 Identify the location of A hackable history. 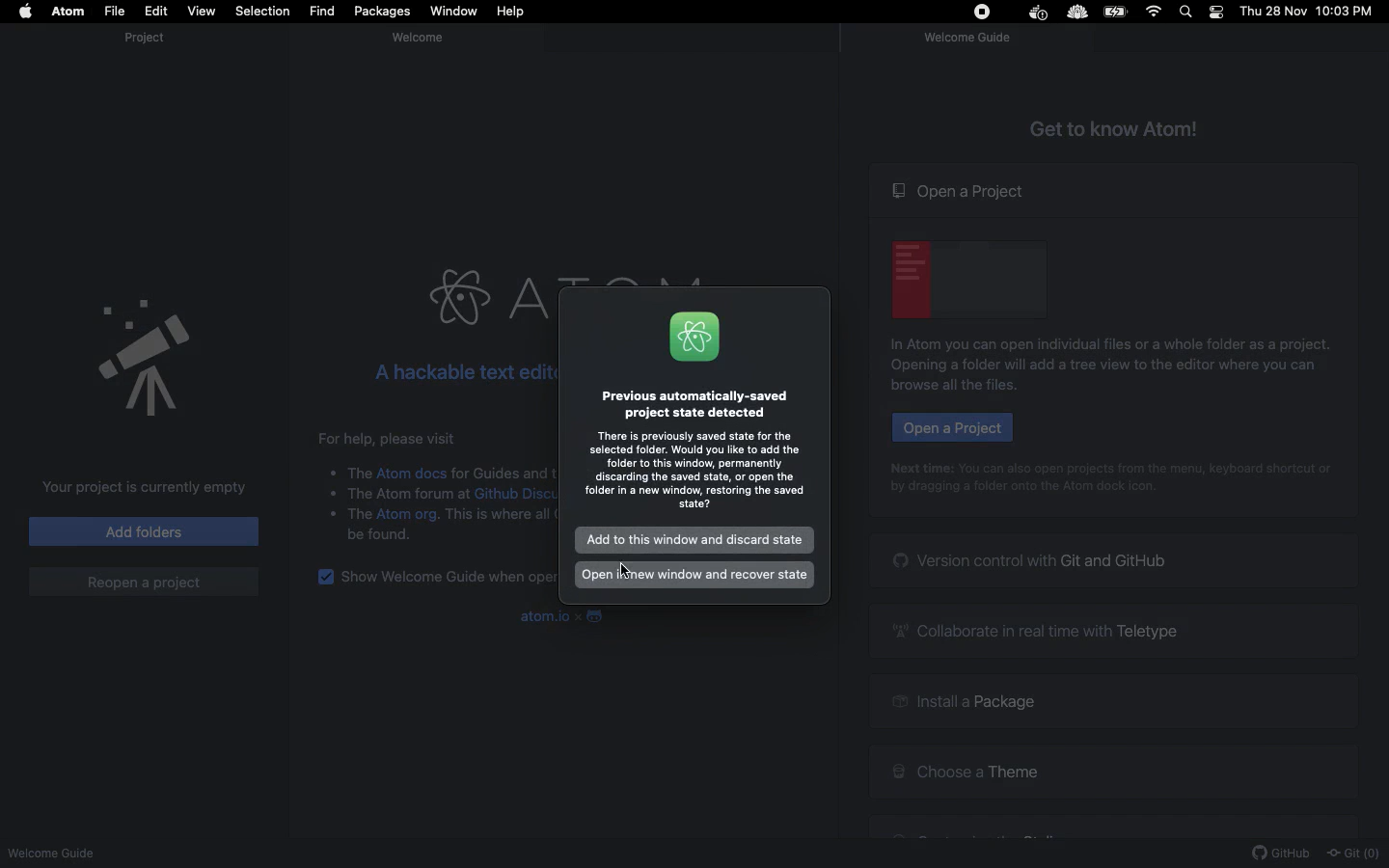
(457, 370).